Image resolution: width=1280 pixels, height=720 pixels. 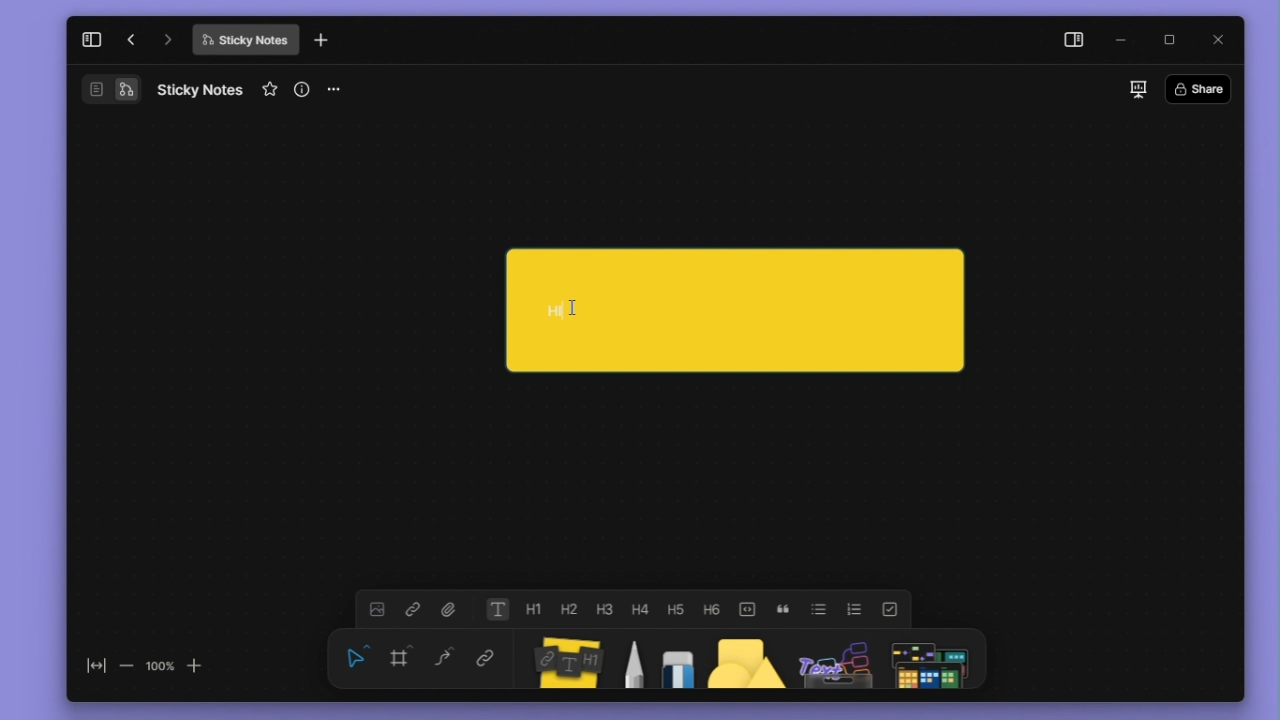 What do you see at coordinates (90, 91) in the screenshot?
I see `Document/Page Overview` at bounding box center [90, 91].